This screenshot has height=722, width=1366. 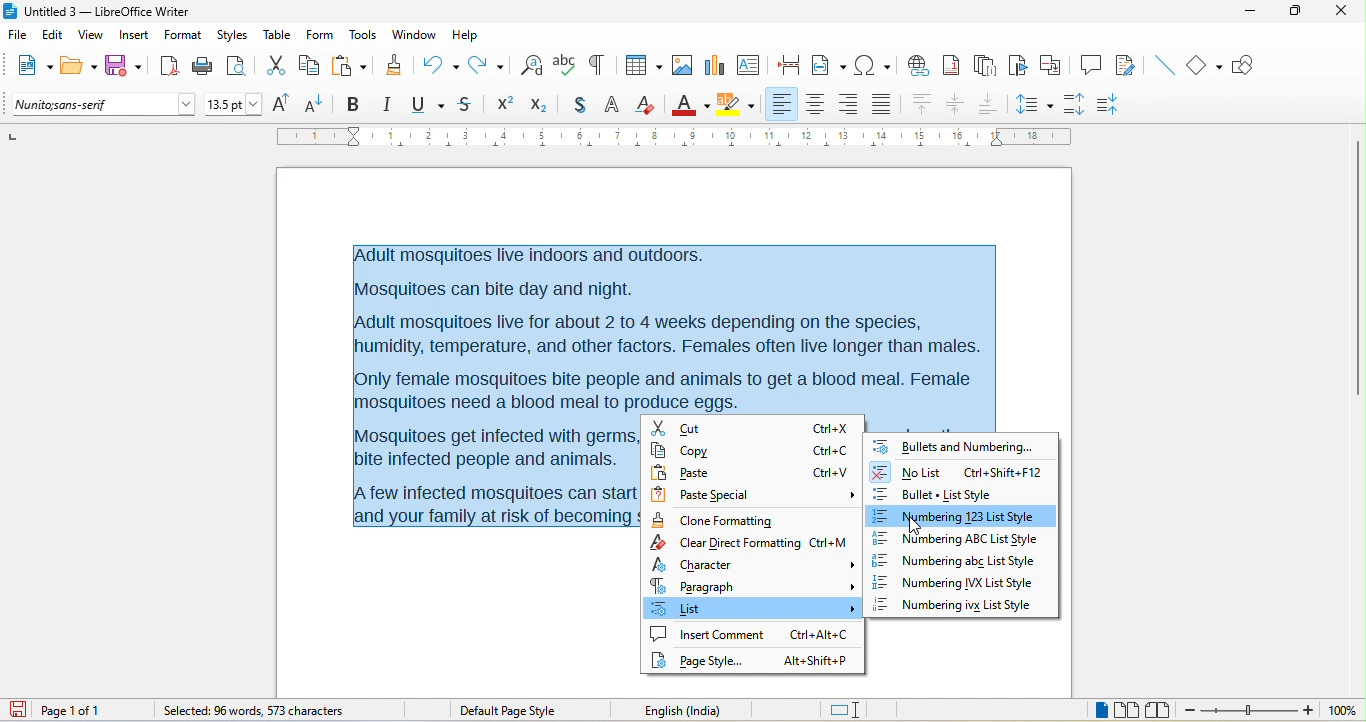 I want to click on image, so click(x=680, y=66).